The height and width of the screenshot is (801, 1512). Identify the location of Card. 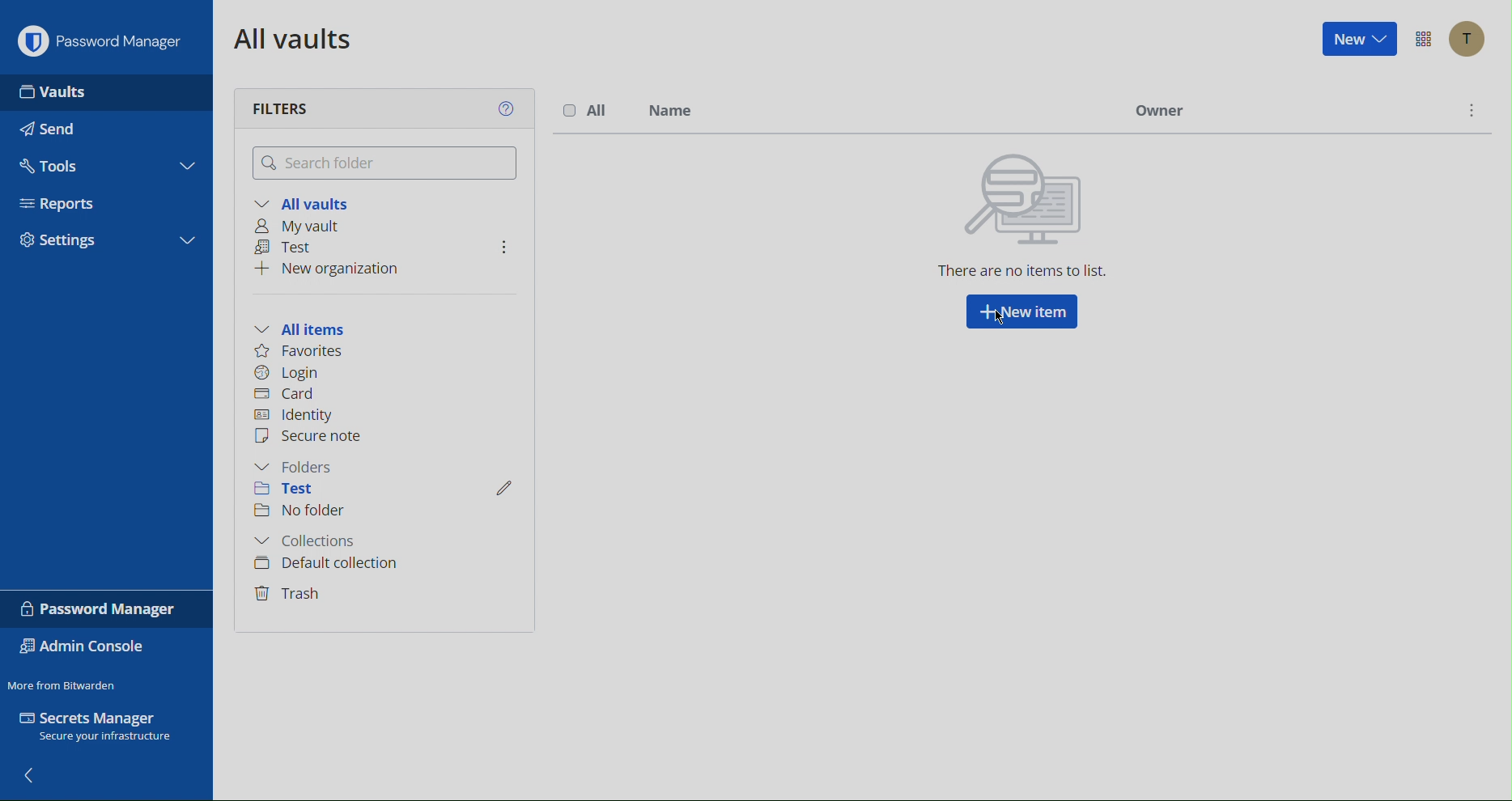
(293, 396).